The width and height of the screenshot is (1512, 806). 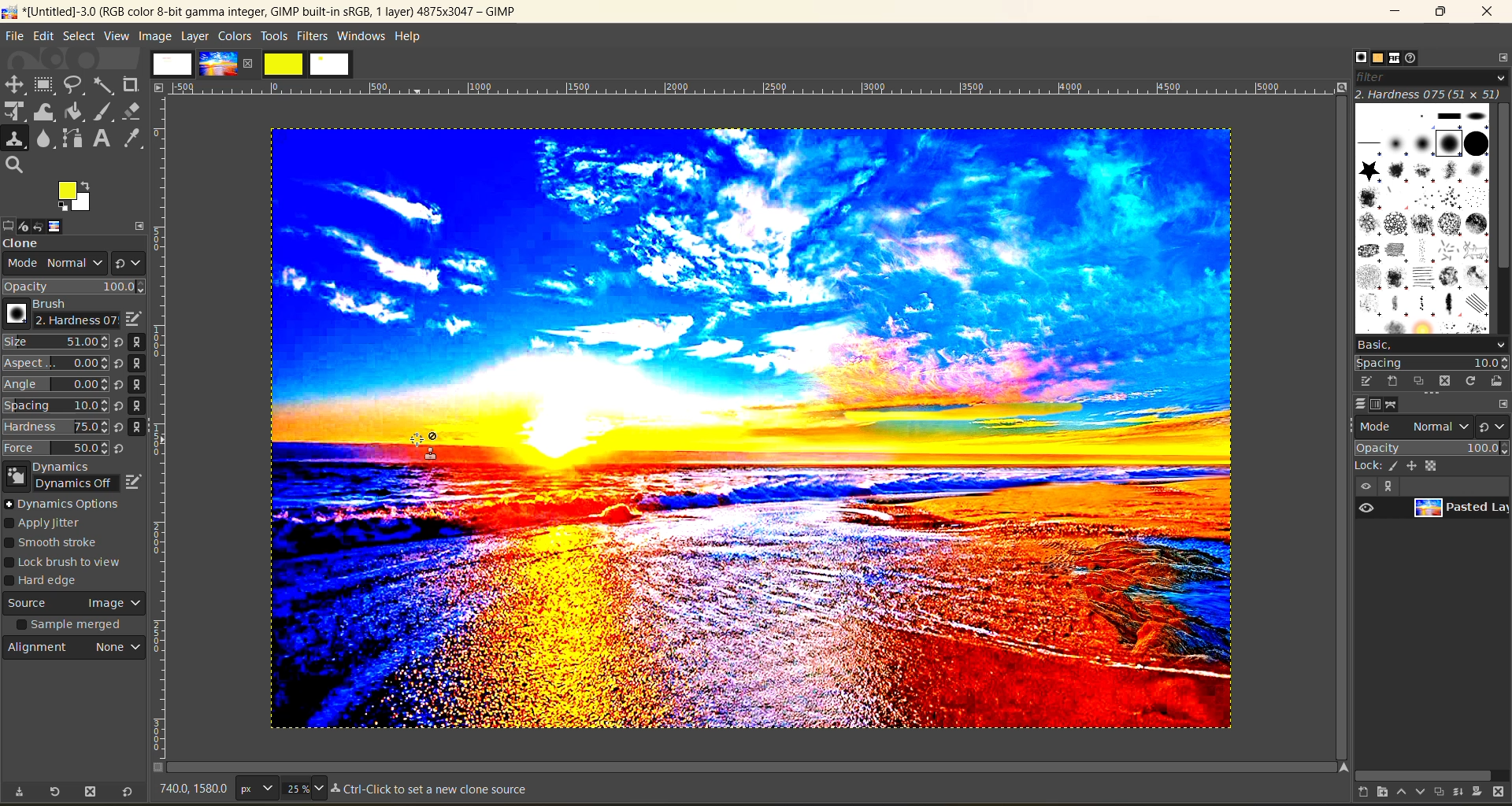 I want to click on edit this brush, so click(x=1361, y=381).